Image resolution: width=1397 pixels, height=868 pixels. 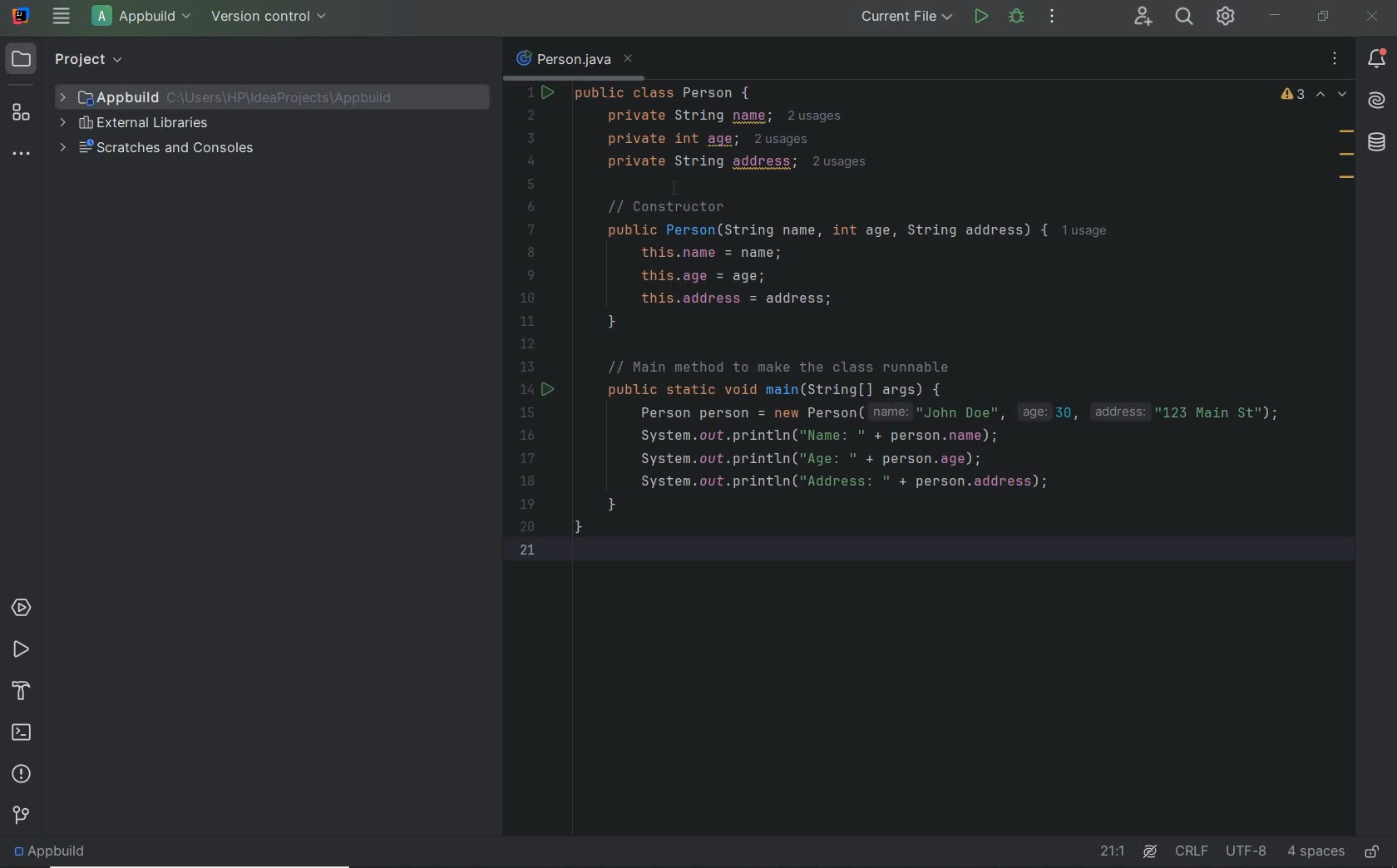 I want to click on code with me, so click(x=1140, y=17).